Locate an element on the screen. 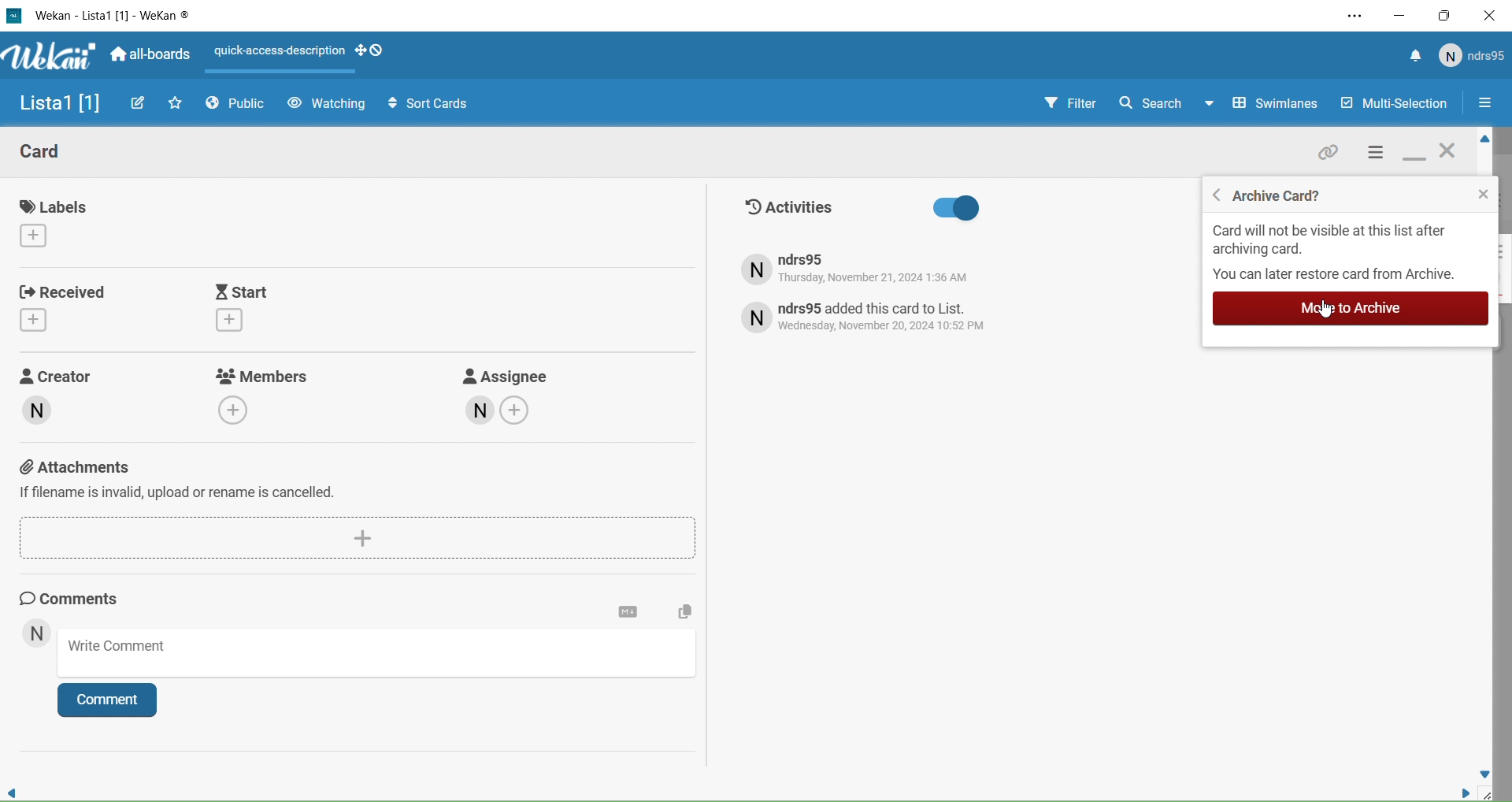  User is located at coordinates (39, 633).